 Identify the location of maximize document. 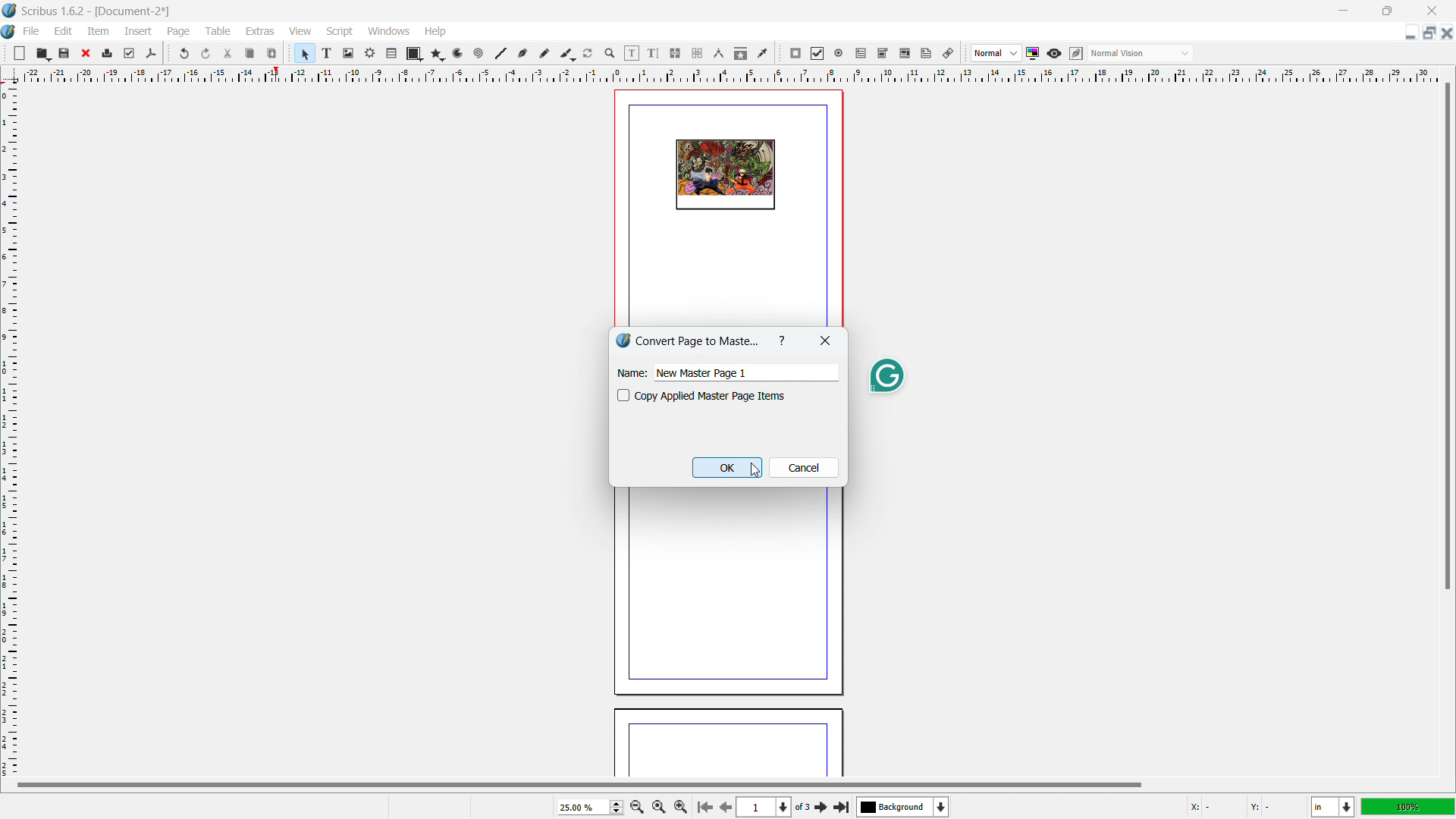
(1427, 33).